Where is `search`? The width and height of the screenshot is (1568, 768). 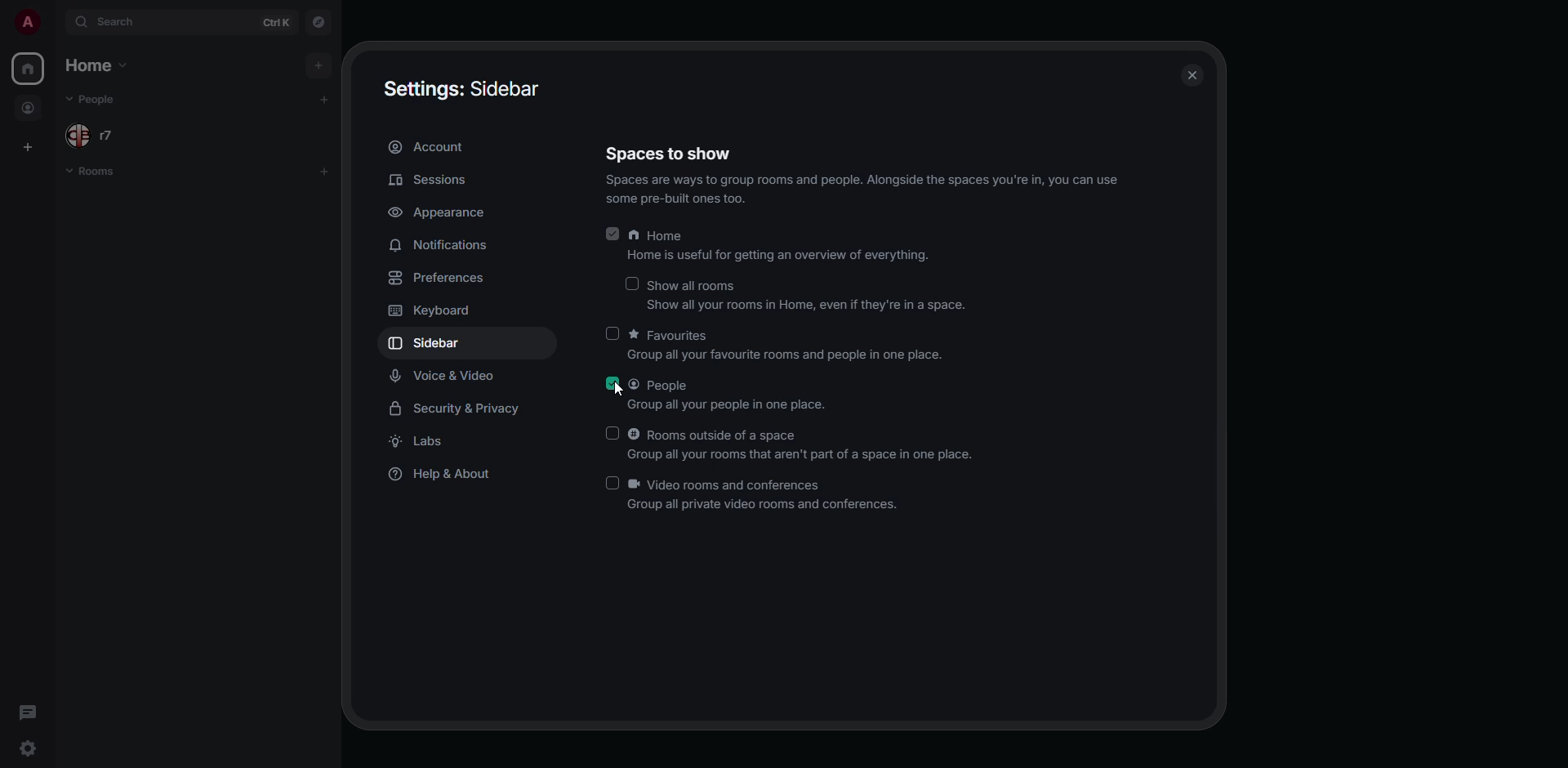
search is located at coordinates (120, 25).